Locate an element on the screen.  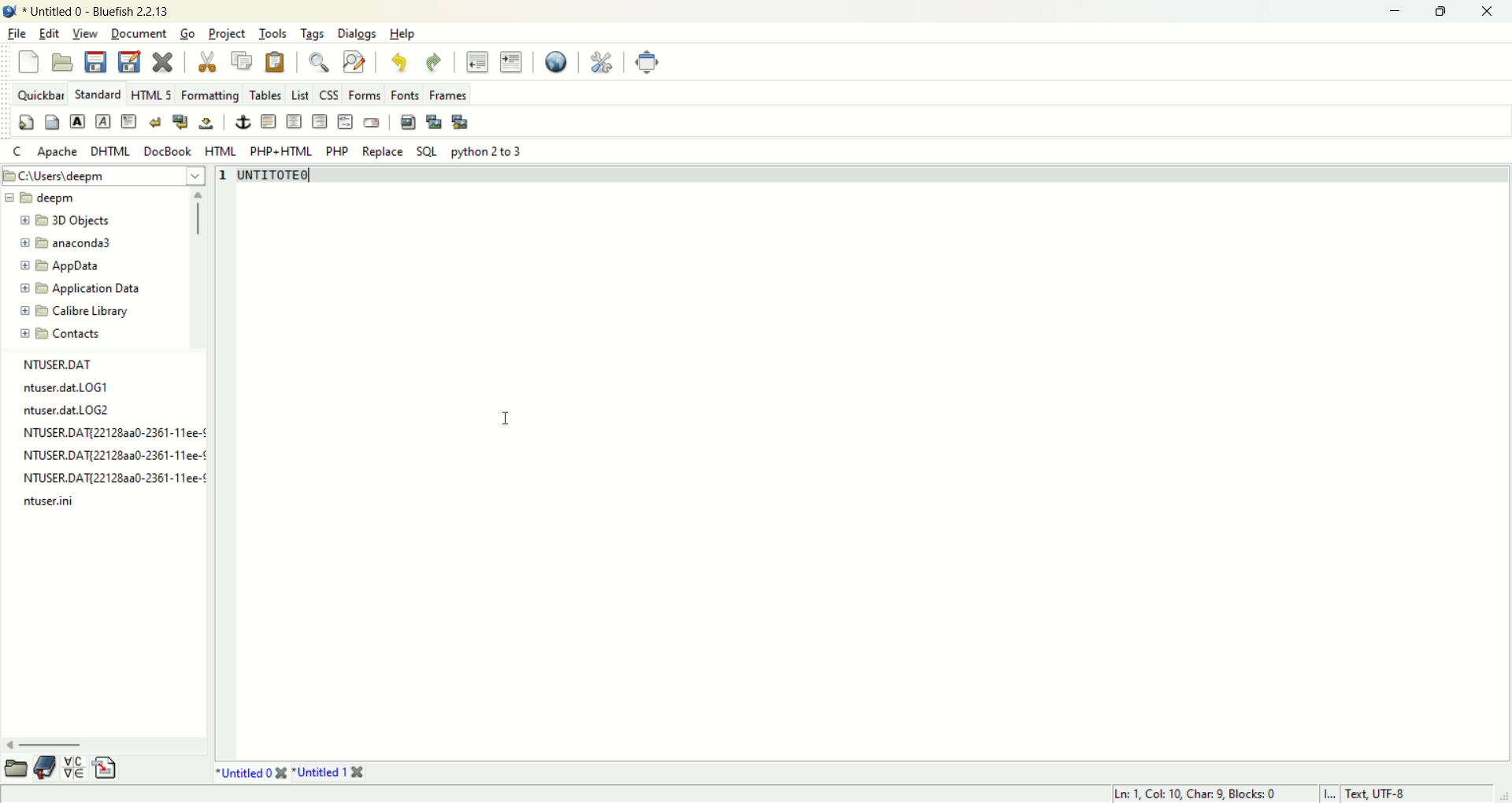
replace is located at coordinates (381, 150).